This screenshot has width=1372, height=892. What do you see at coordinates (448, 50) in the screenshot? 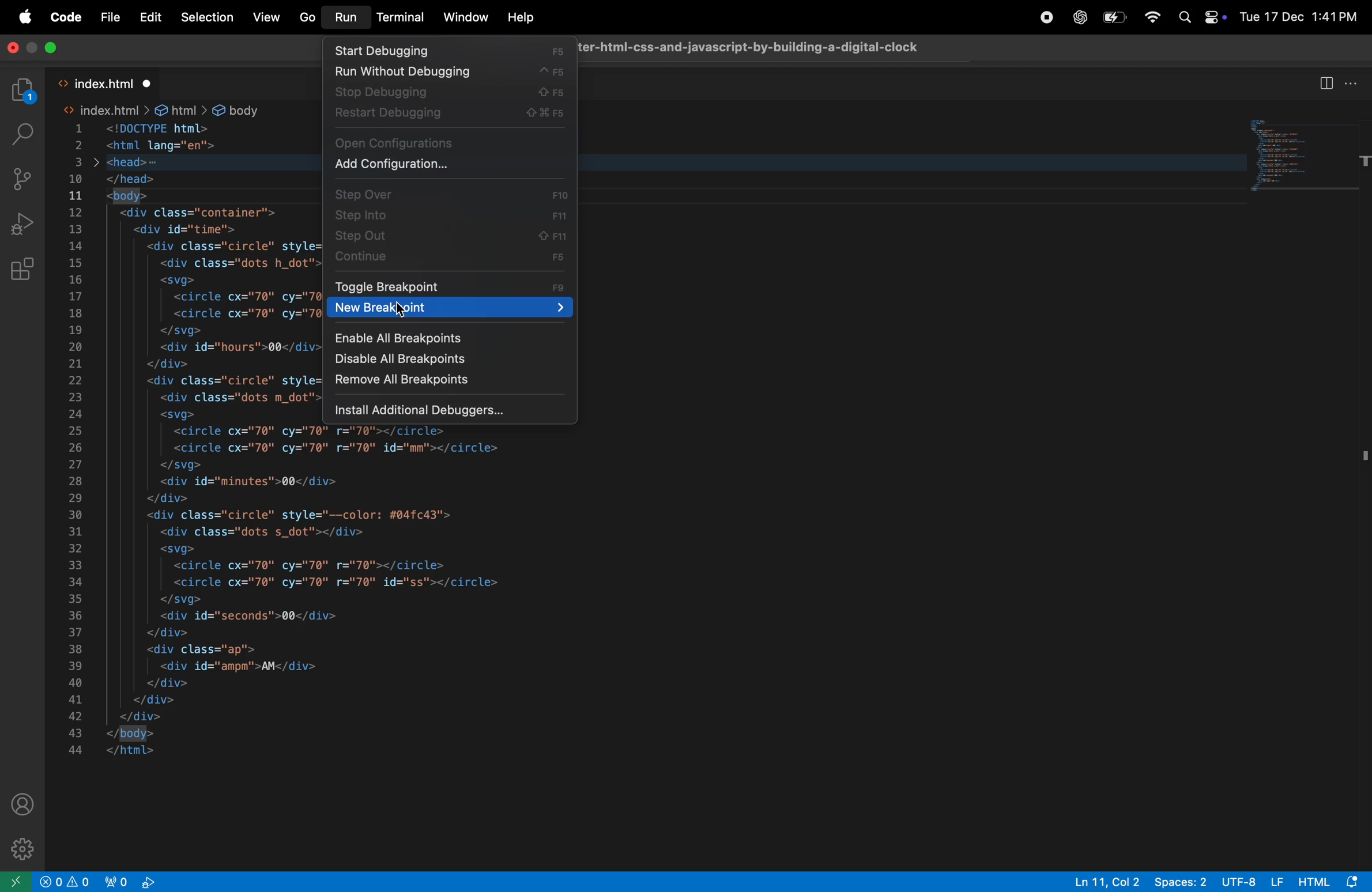
I see `start debugging` at bounding box center [448, 50].